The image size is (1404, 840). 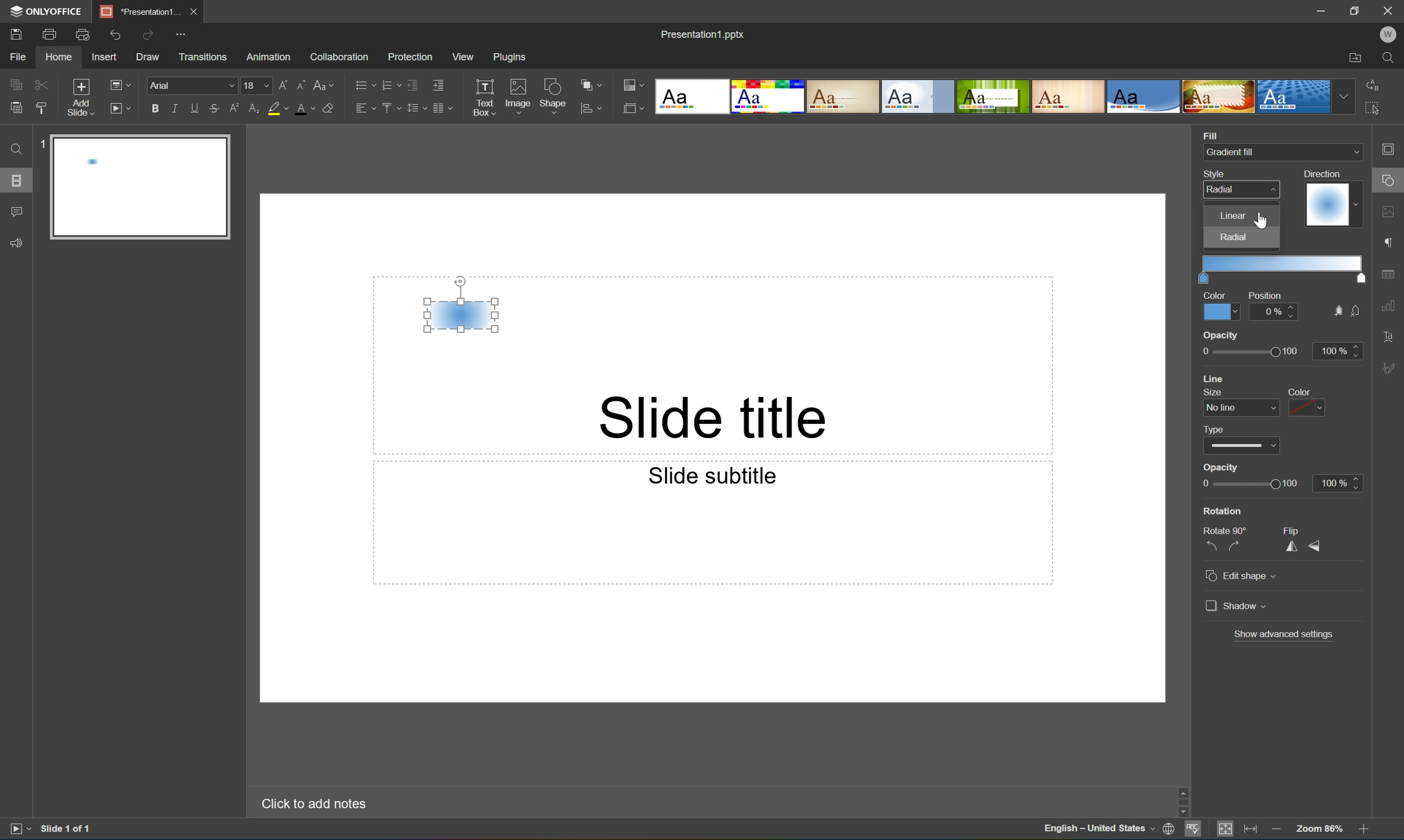 What do you see at coordinates (1222, 335) in the screenshot?
I see `opacity` at bounding box center [1222, 335].